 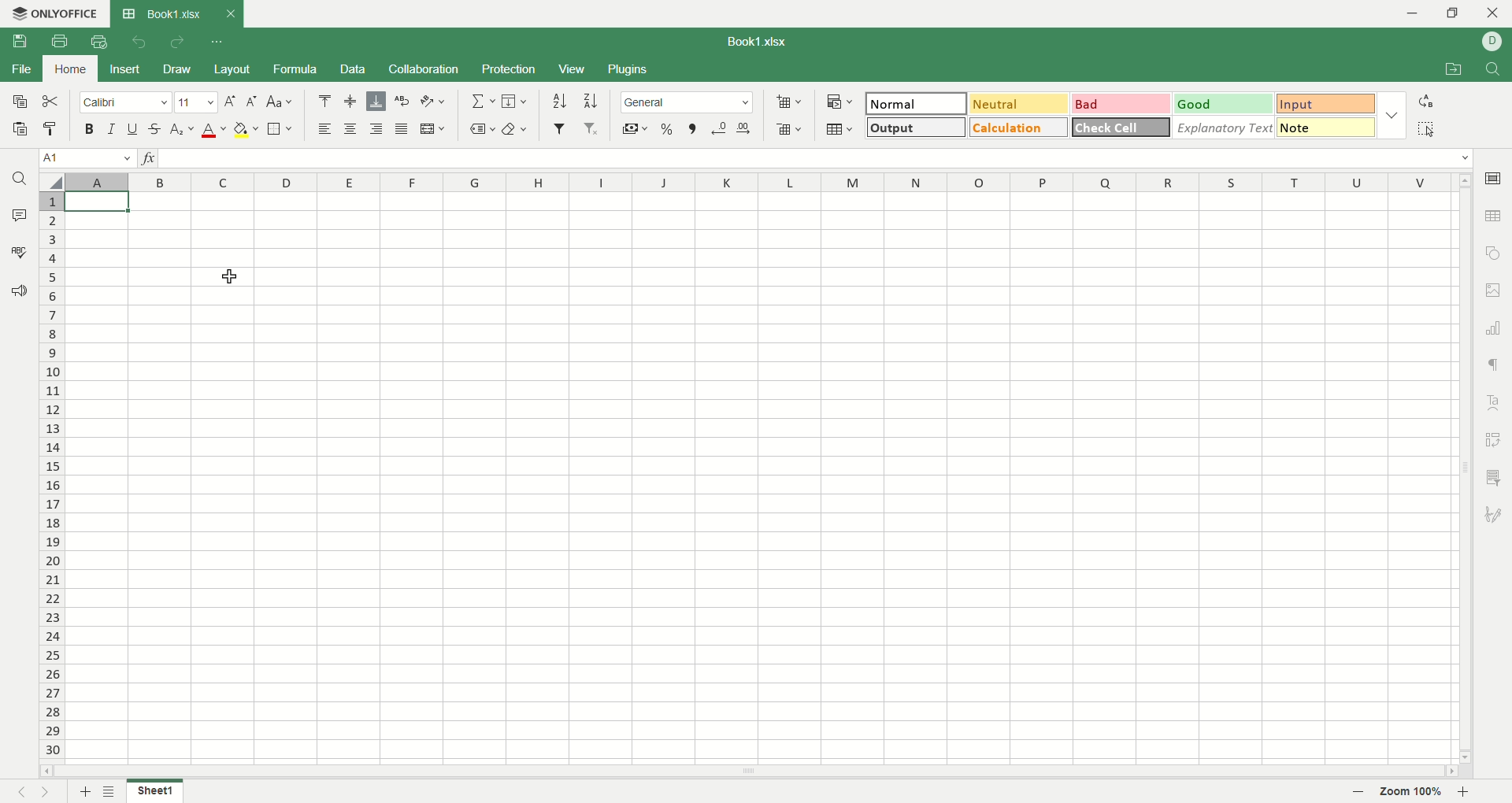 What do you see at coordinates (1406, 13) in the screenshot?
I see `minimize` at bounding box center [1406, 13].